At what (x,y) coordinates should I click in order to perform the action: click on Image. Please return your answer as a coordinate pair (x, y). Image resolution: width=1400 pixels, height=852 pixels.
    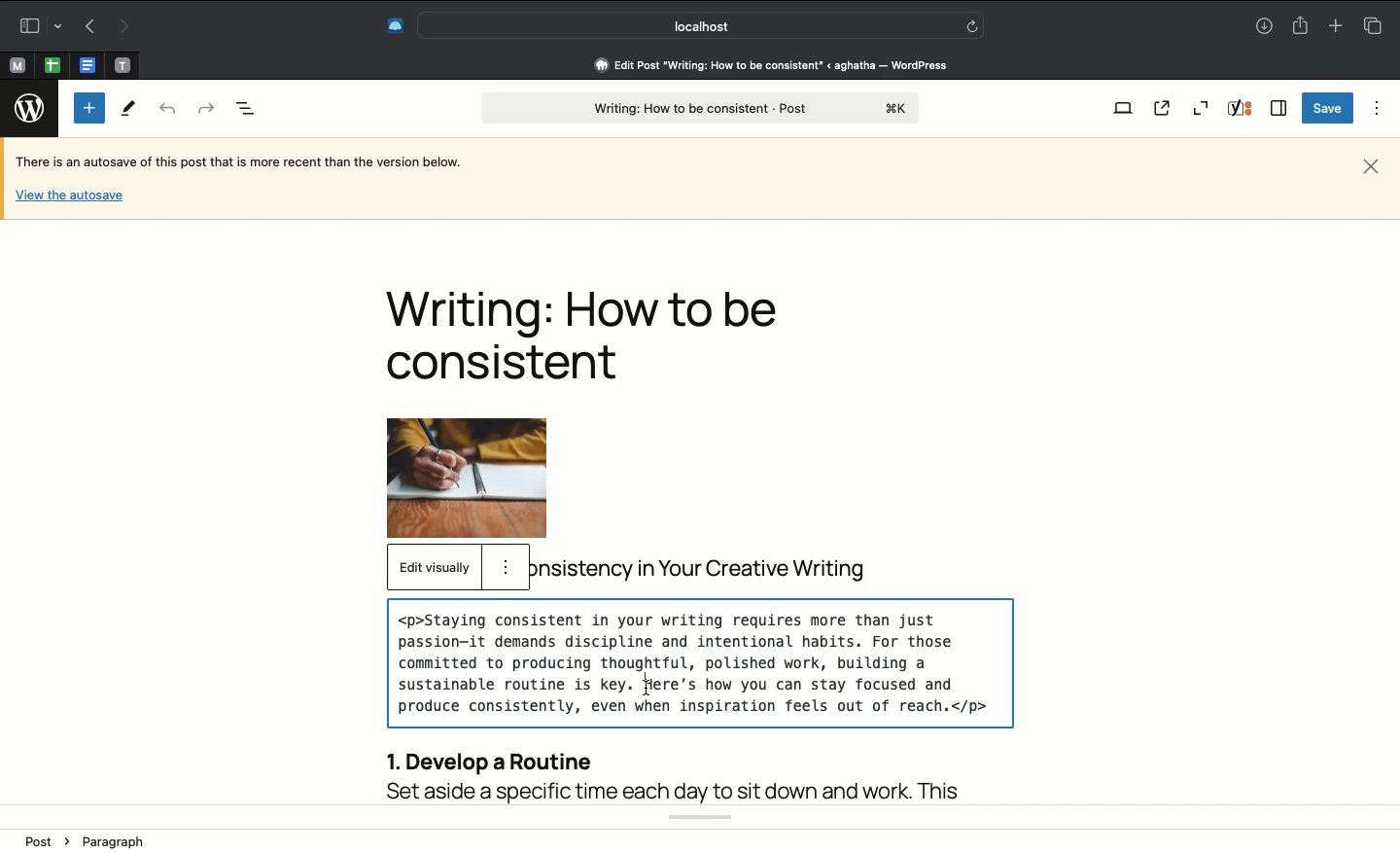
    Looking at the image, I should click on (490, 478).